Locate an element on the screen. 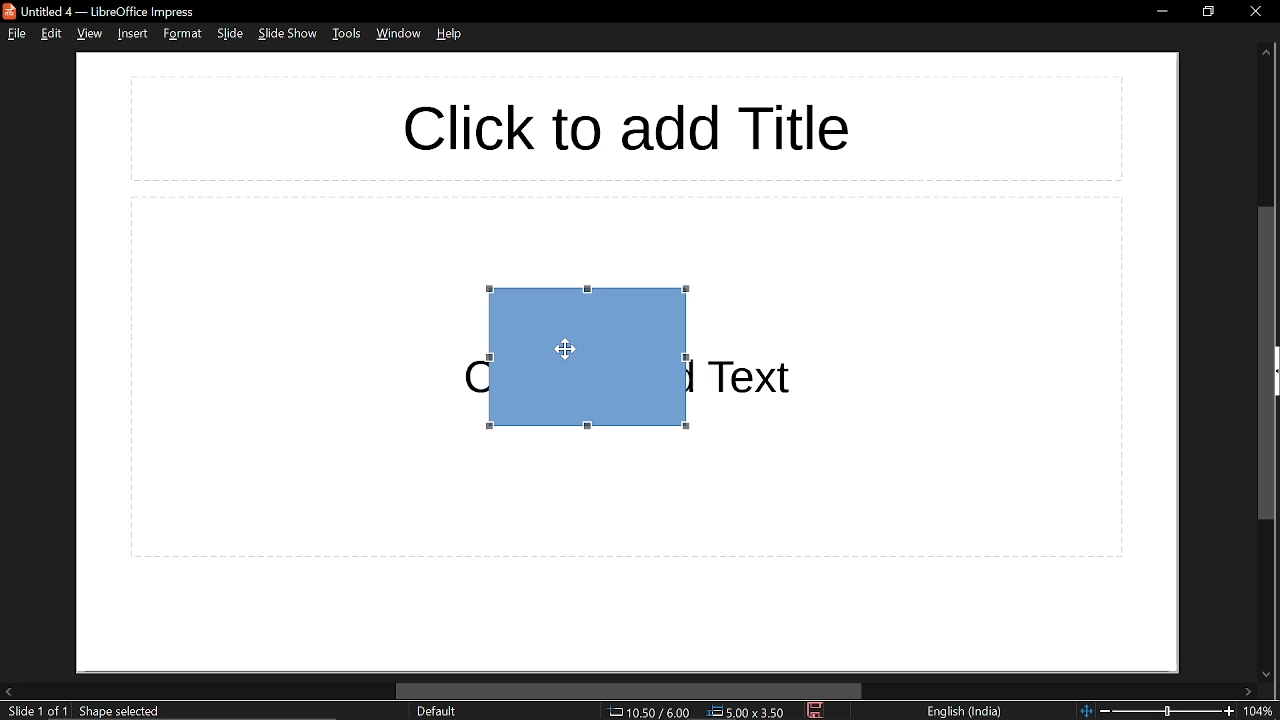 The height and width of the screenshot is (720, 1280). move up is located at coordinates (1266, 53).